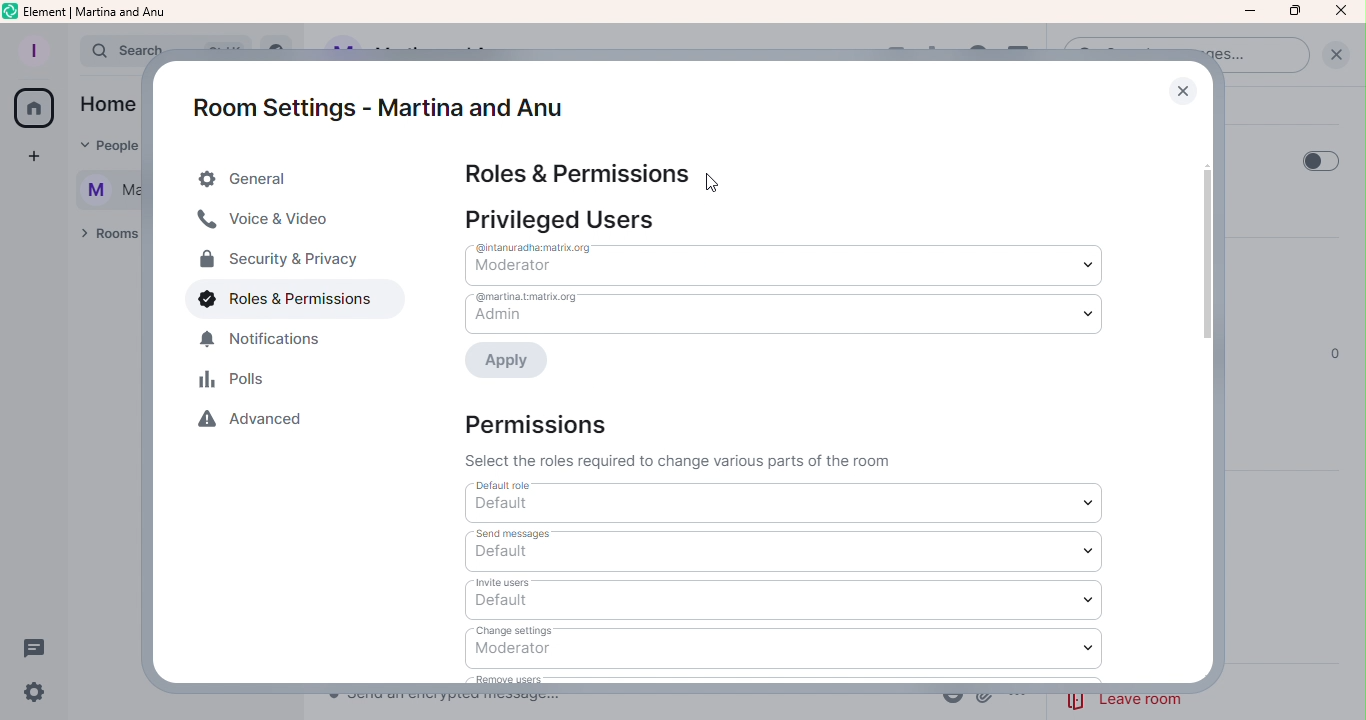  I want to click on Clear Search, so click(1335, 54).